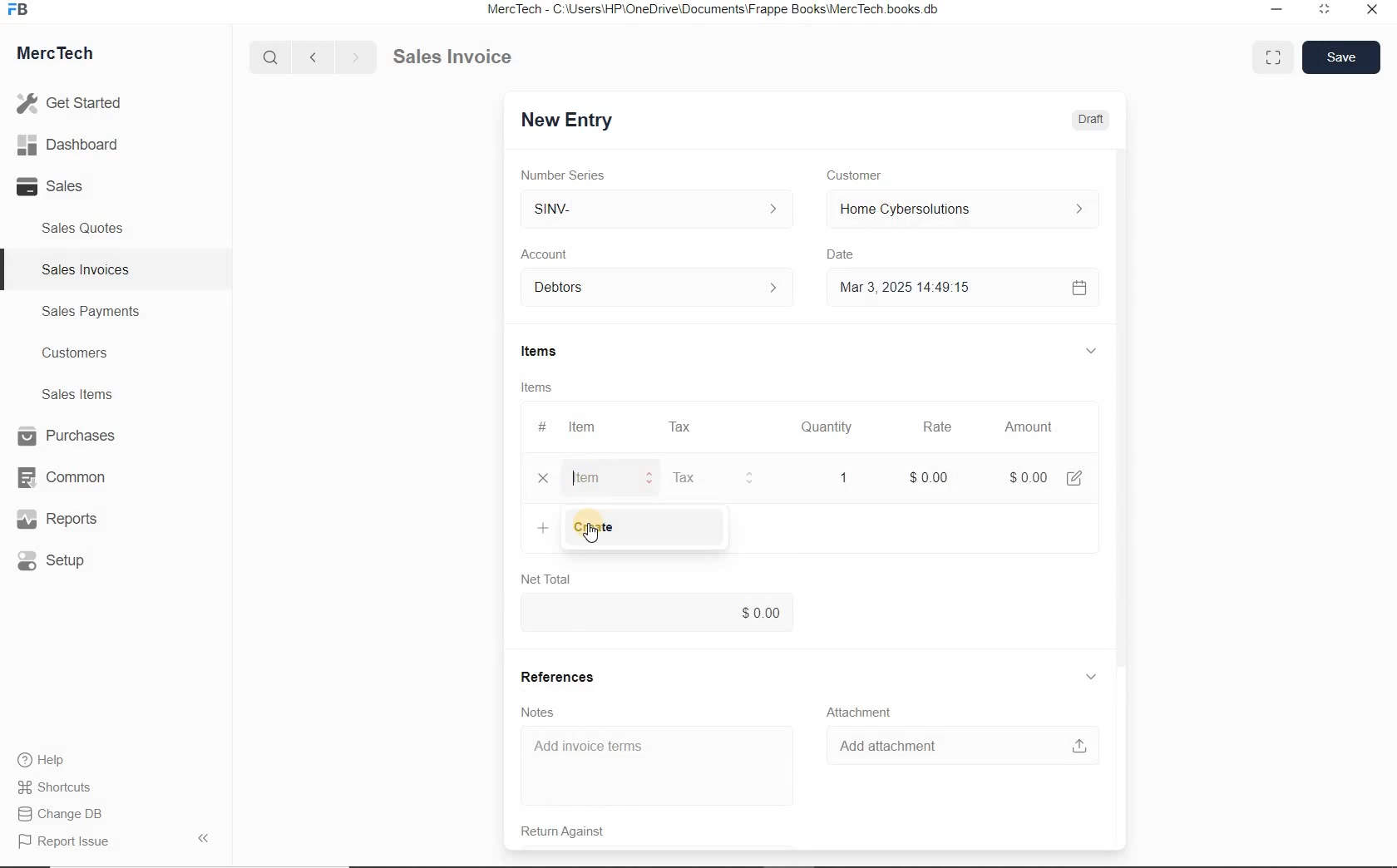 The height and width of the screenshot is (868, 1397). I want to click on Setup, so click(70, 560).